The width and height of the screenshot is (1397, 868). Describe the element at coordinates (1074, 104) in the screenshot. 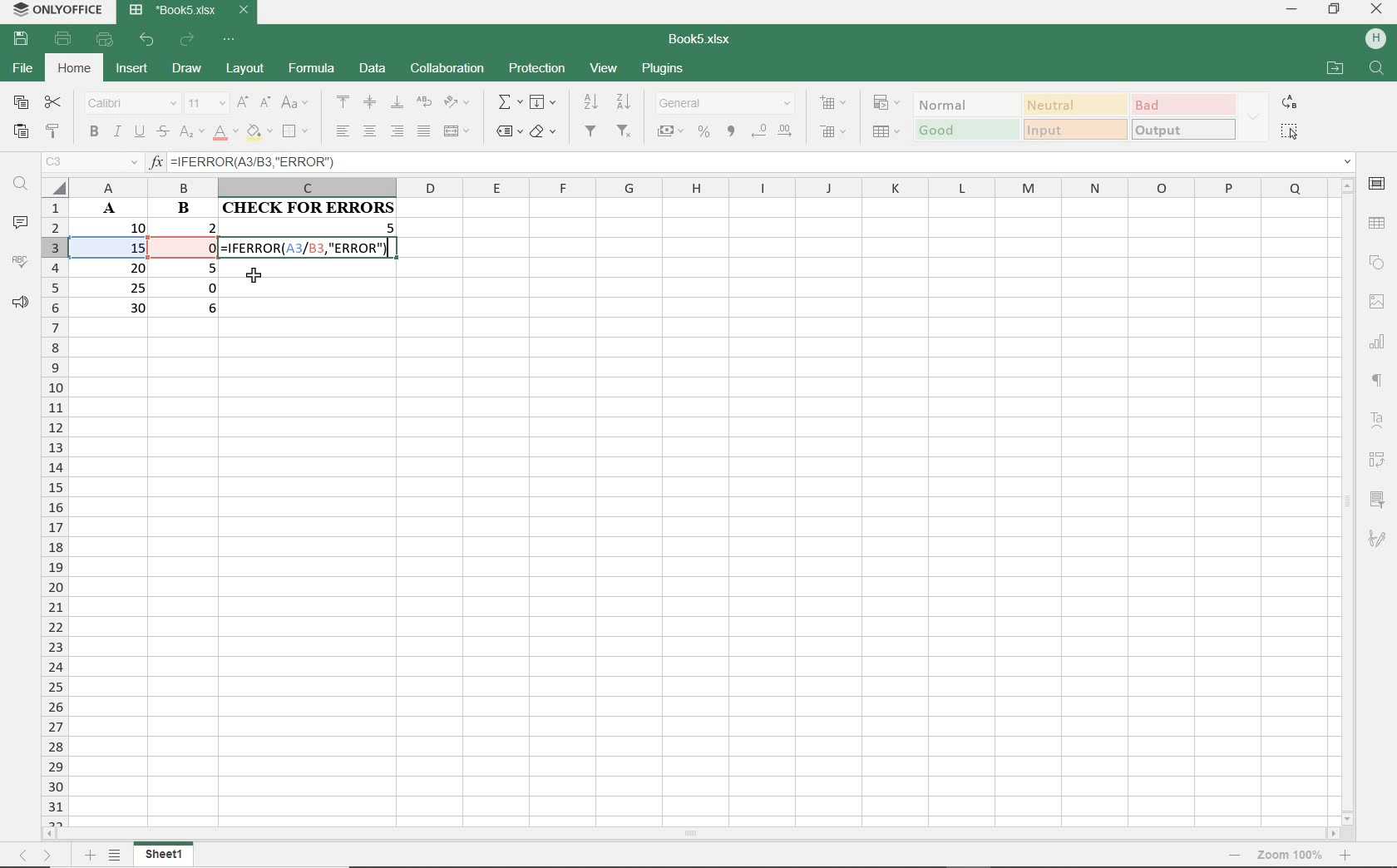

I see `NEUTRAL` at that location.